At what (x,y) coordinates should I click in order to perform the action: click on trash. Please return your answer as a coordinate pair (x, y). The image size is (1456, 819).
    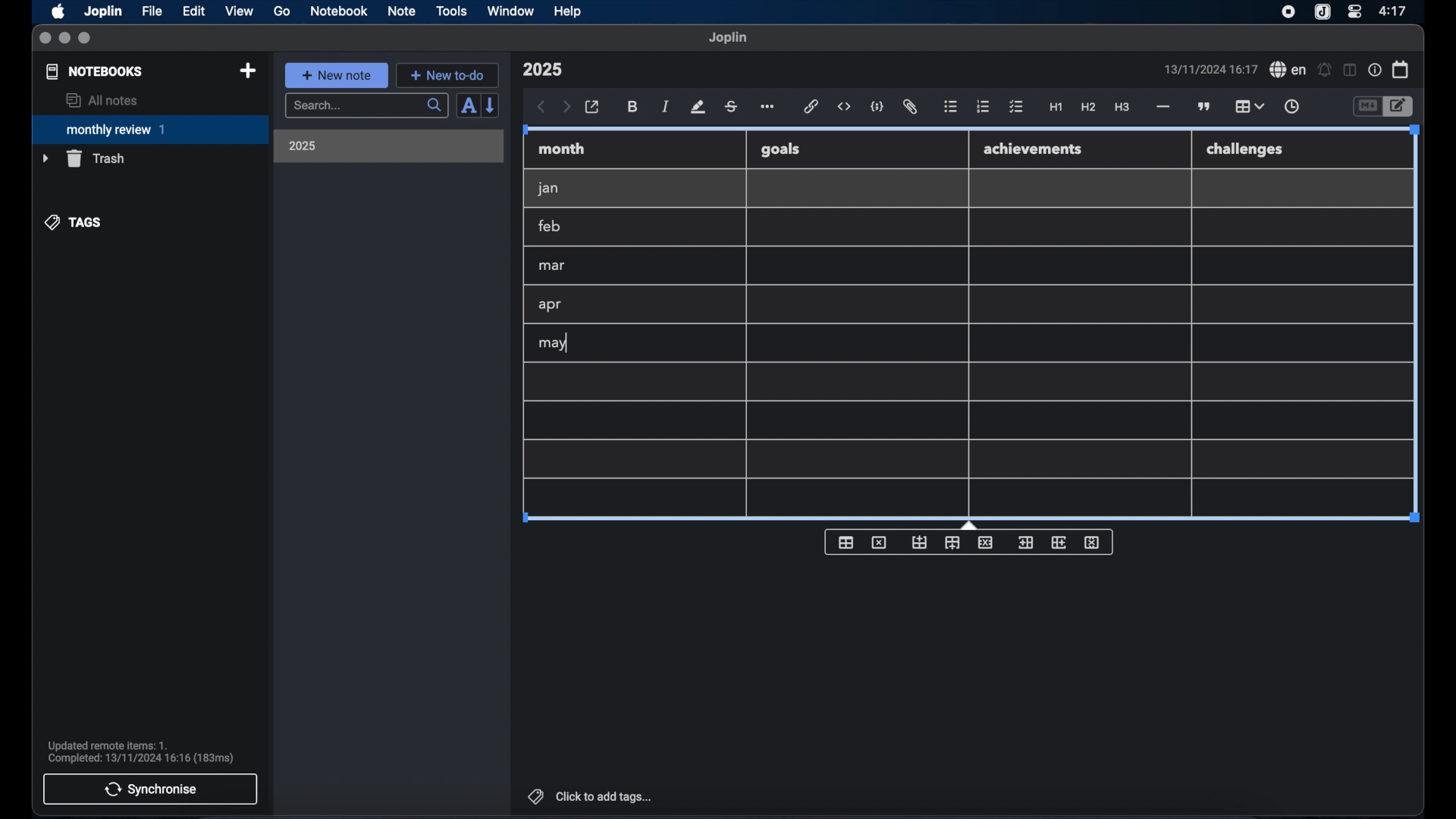
    Looking at the image, I should click on (83, 158).